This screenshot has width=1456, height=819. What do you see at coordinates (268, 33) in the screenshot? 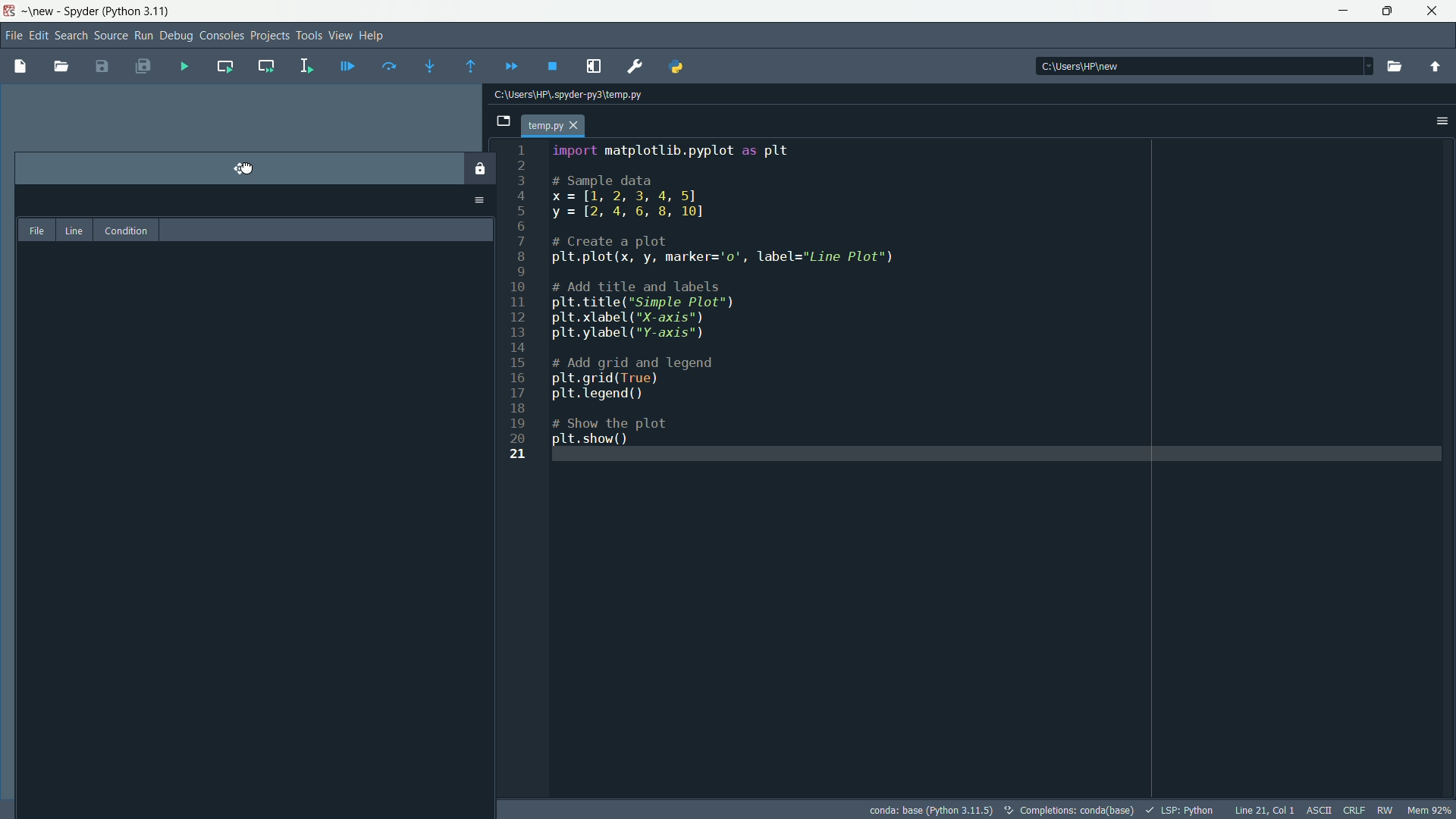
I see `project menu` at bounding box center [268, 33].